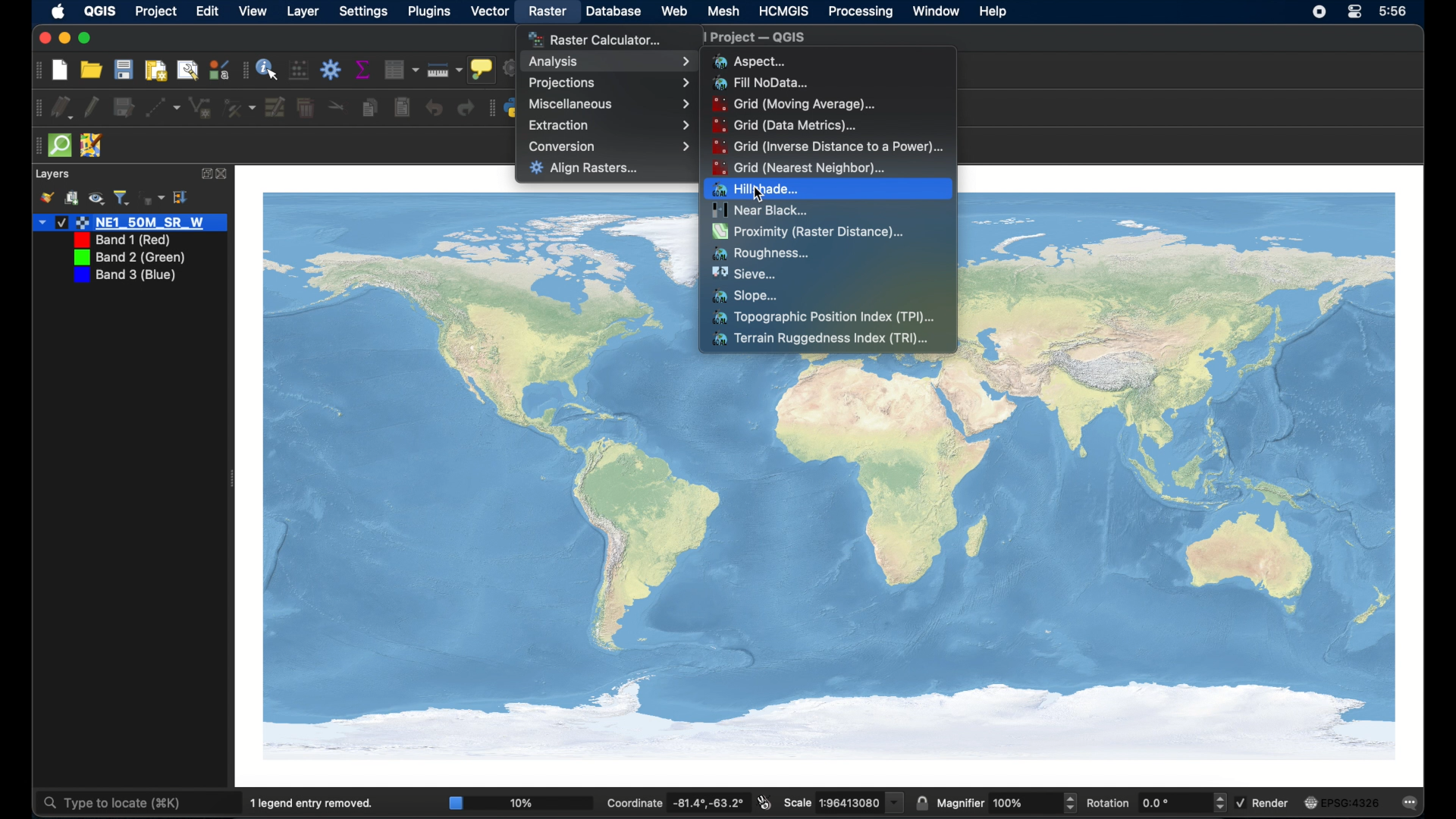 This screenshot has height=819, width=1456. I want to click on current crs, so click(1344, 803).